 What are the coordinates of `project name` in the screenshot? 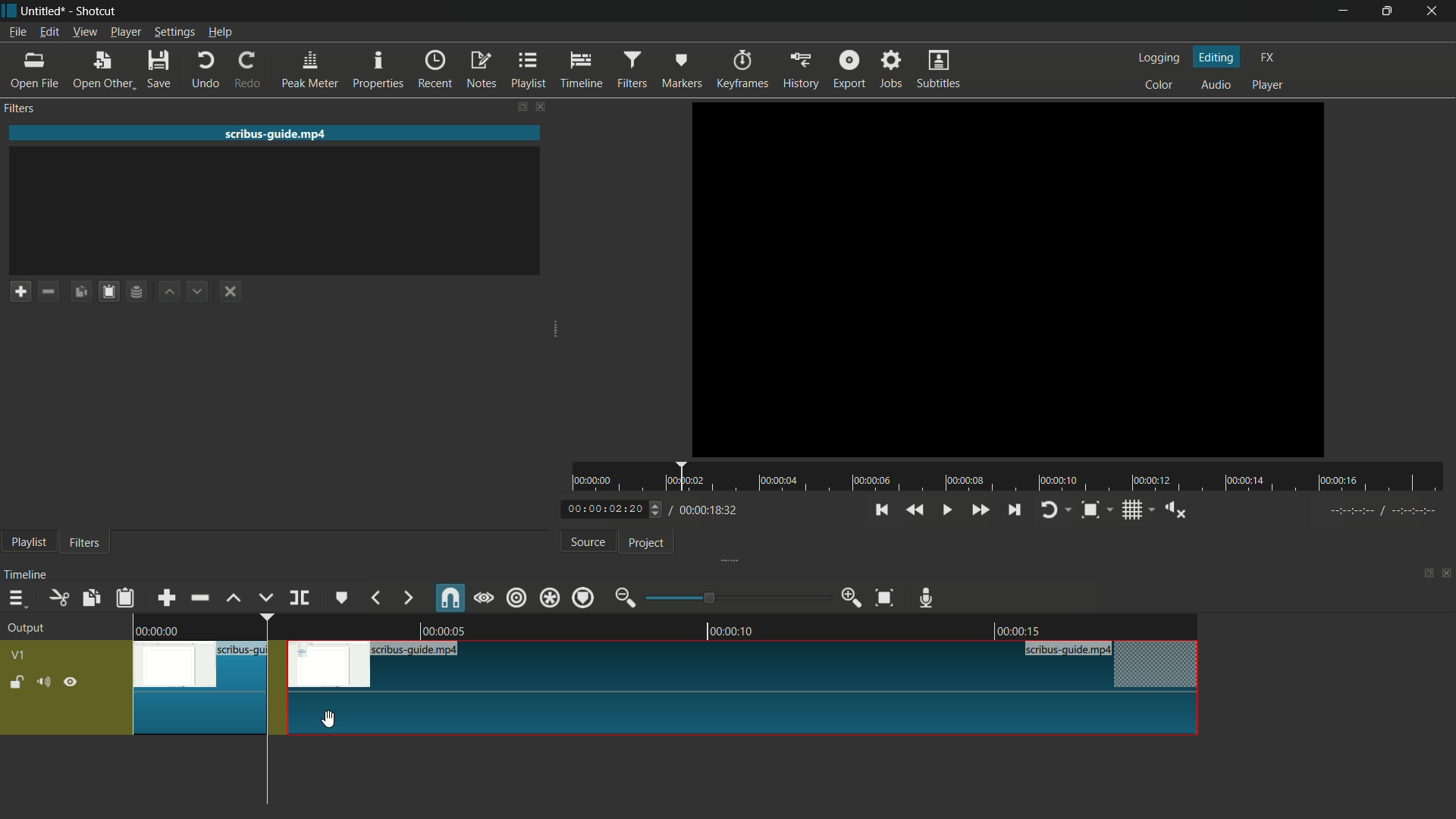 It's located at (43, 10).